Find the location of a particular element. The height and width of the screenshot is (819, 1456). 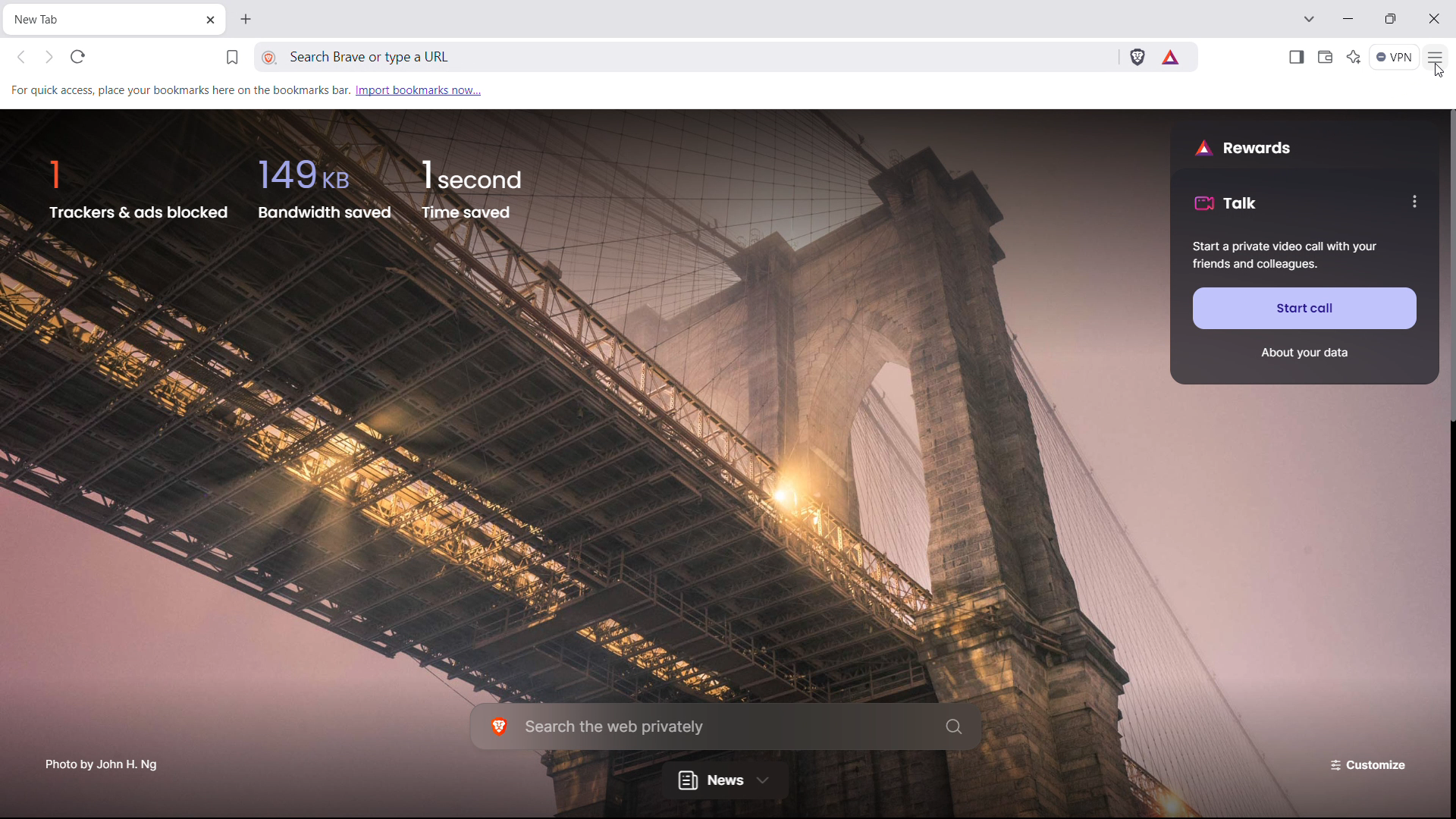

news is located at coordinates (723, 783).